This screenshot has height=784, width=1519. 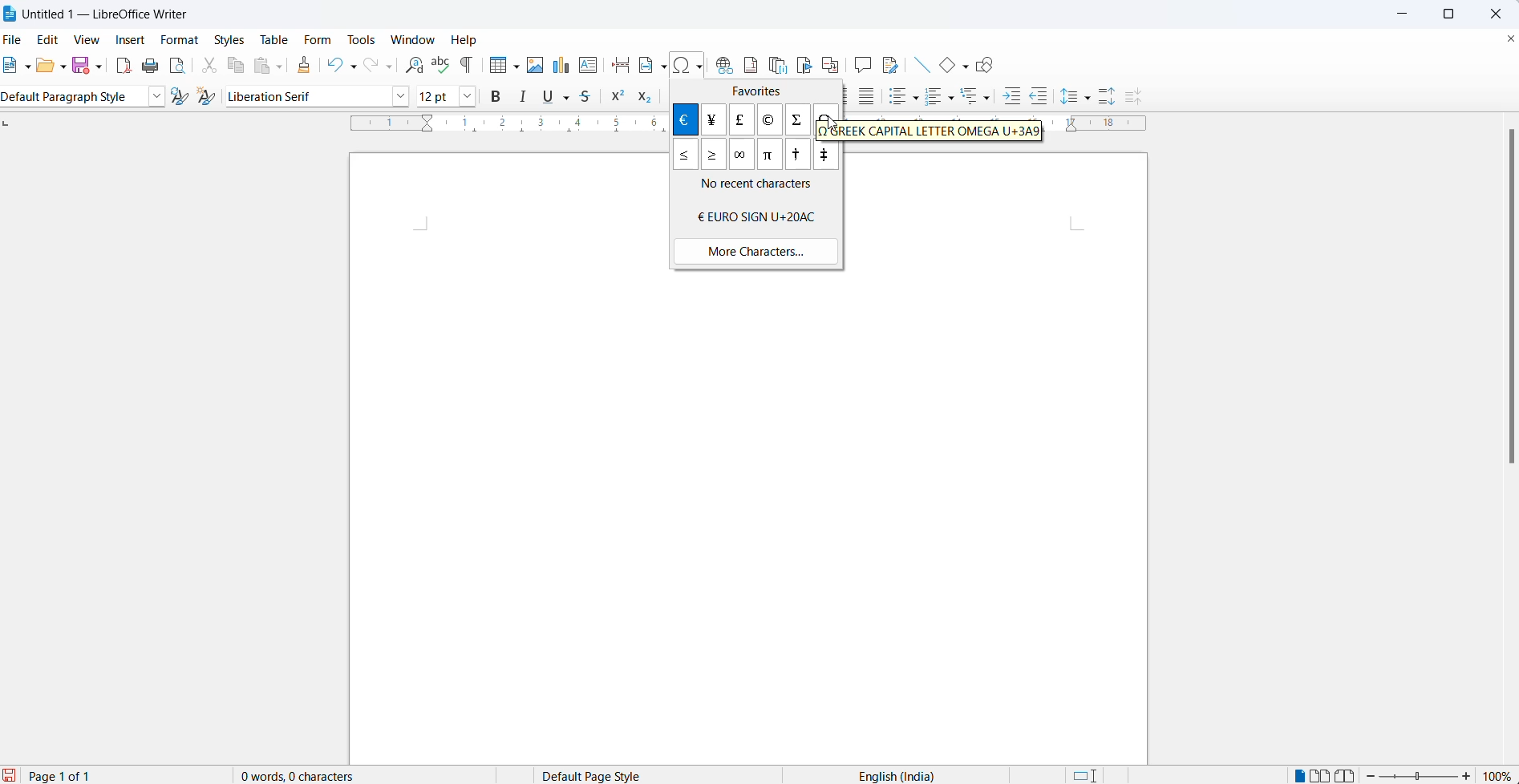 I want to click on paste options, so click(x=283, y=66).